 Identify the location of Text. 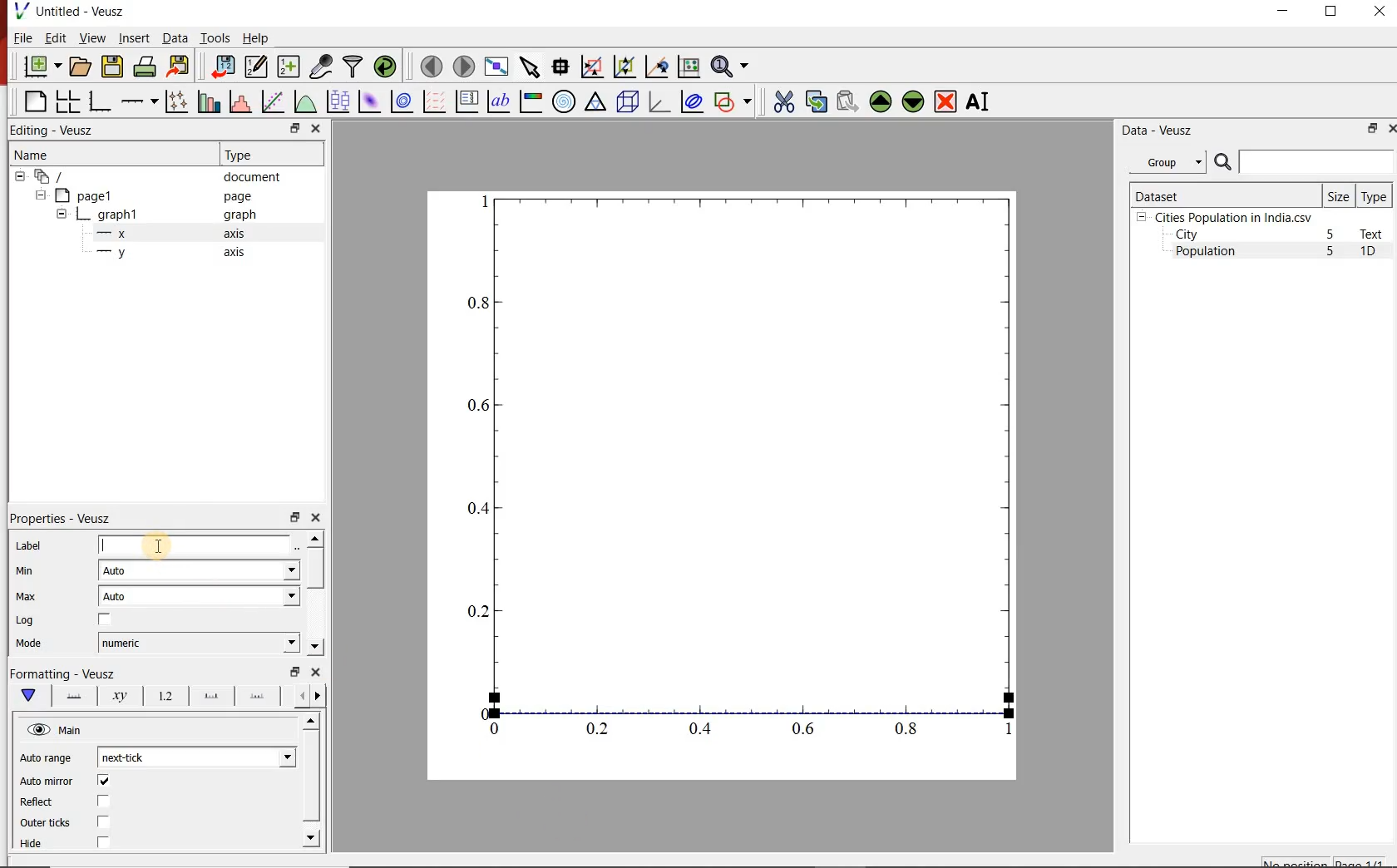
(1375, 234).